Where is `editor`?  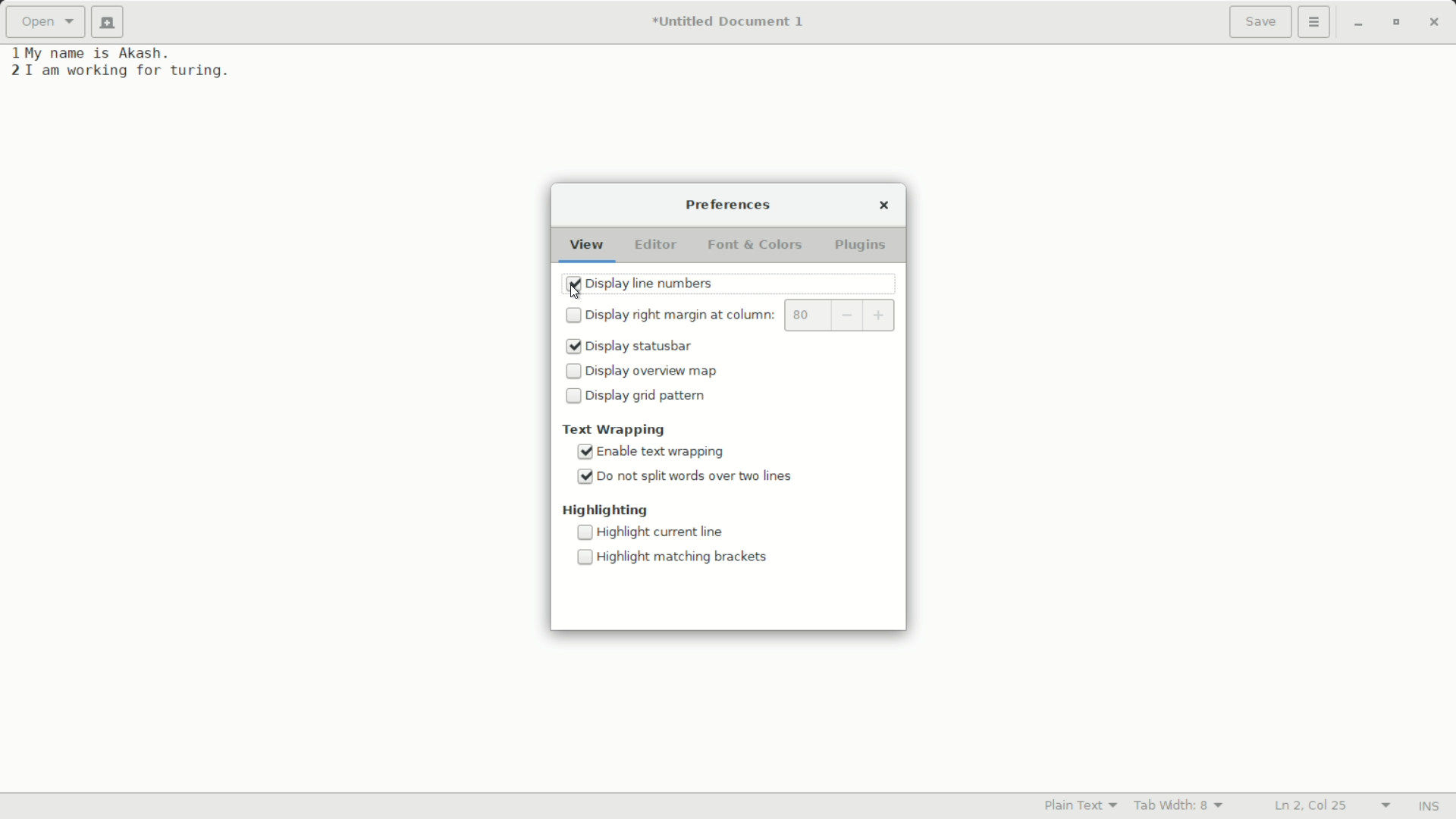 editor is located at coordinates (658, 247).